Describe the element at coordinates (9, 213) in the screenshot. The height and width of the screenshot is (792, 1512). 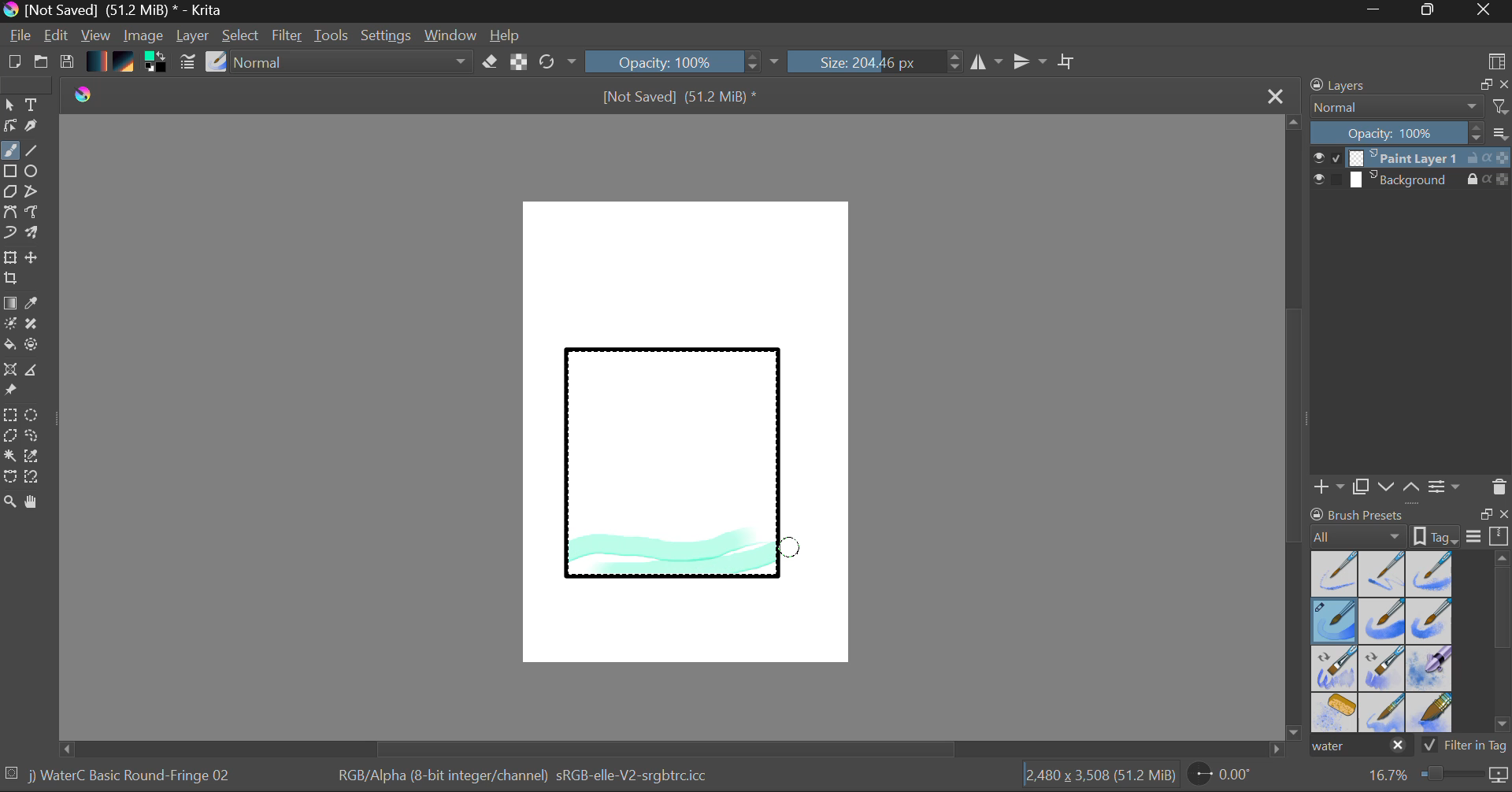
I see `Bezier Curve` at that location.